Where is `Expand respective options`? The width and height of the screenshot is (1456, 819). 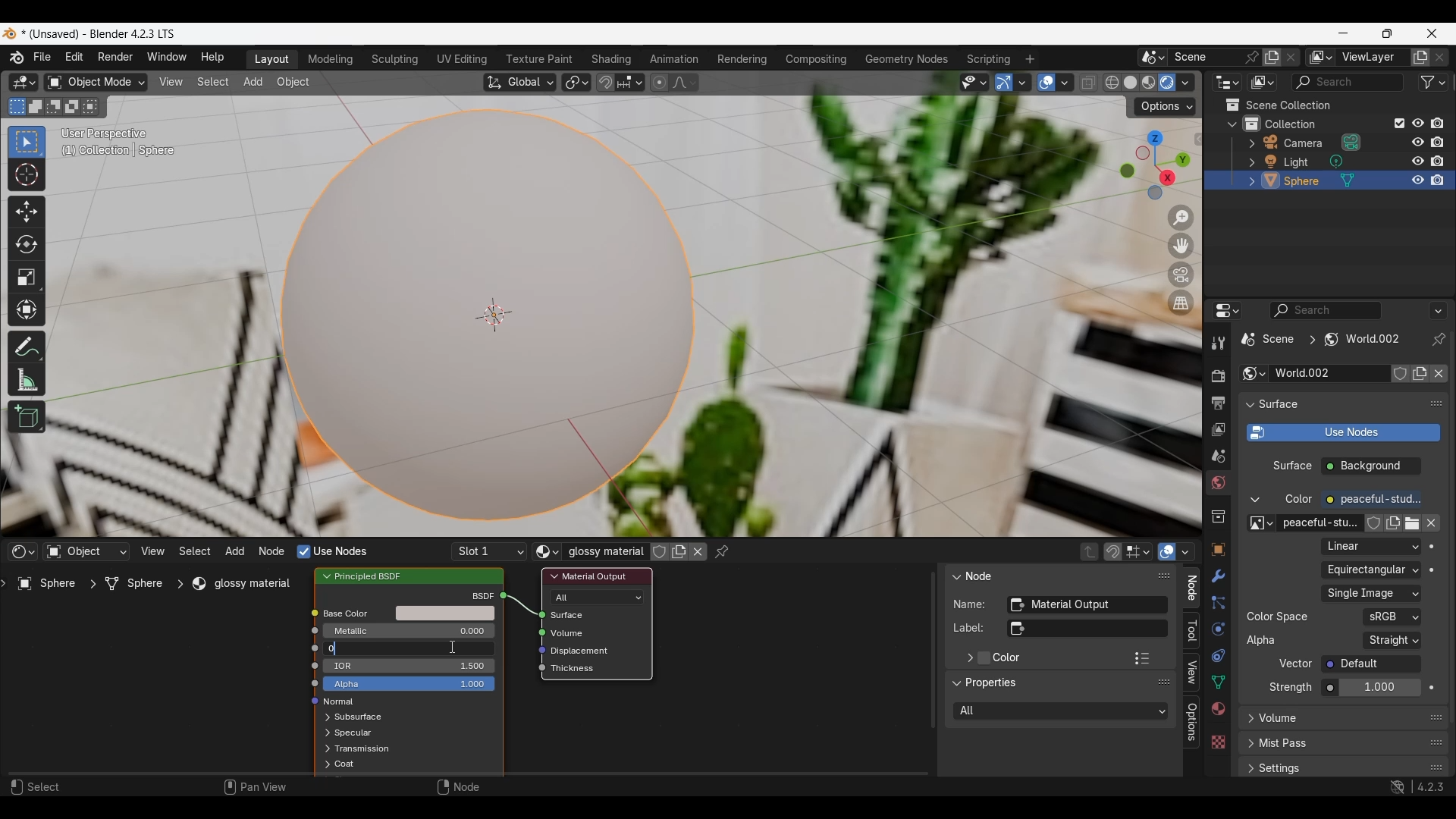
Expand respective options is located at coordinates (1247, 723).